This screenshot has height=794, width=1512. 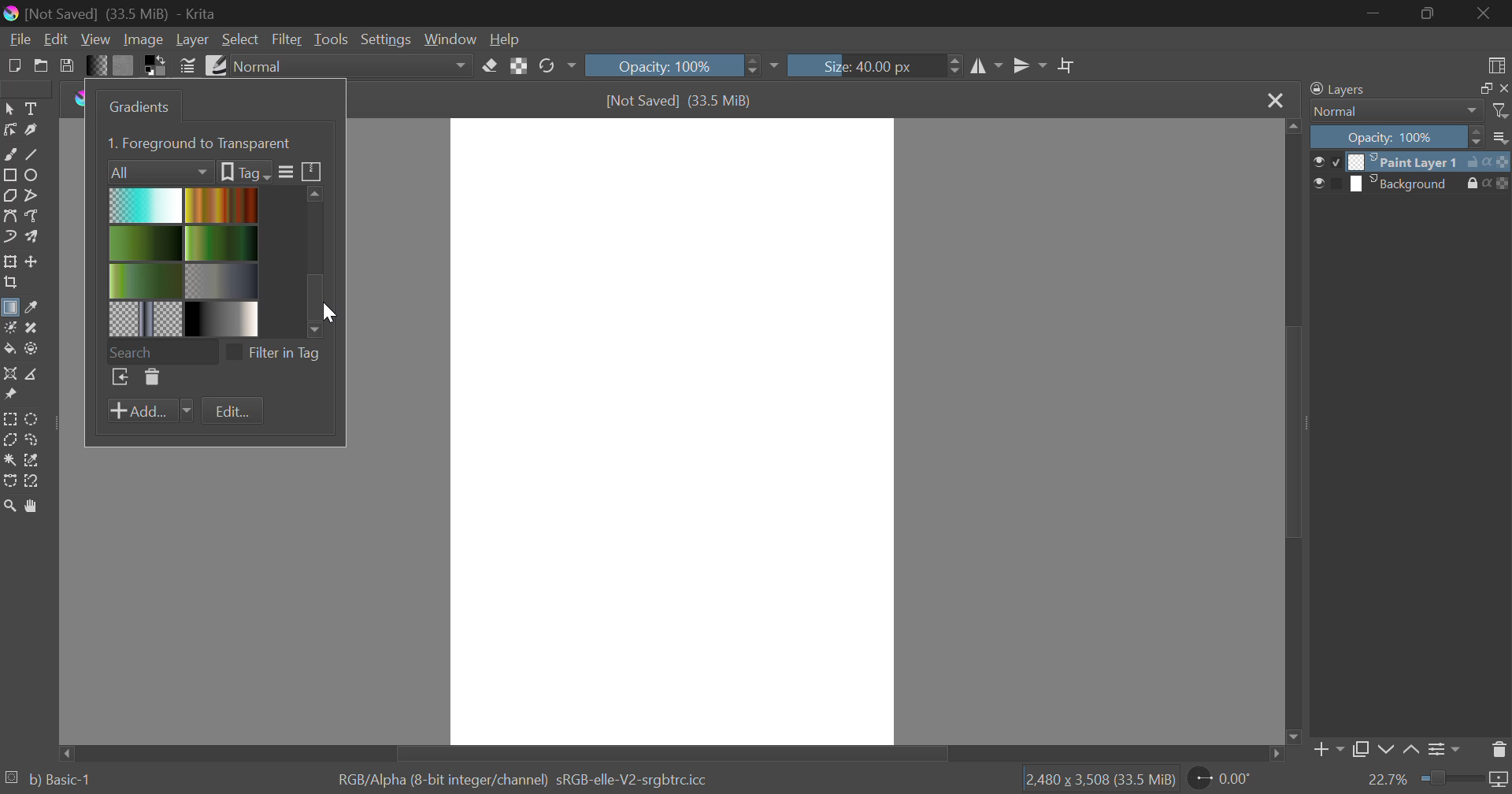 I want to click on filter, so click(x=1502, y=111).